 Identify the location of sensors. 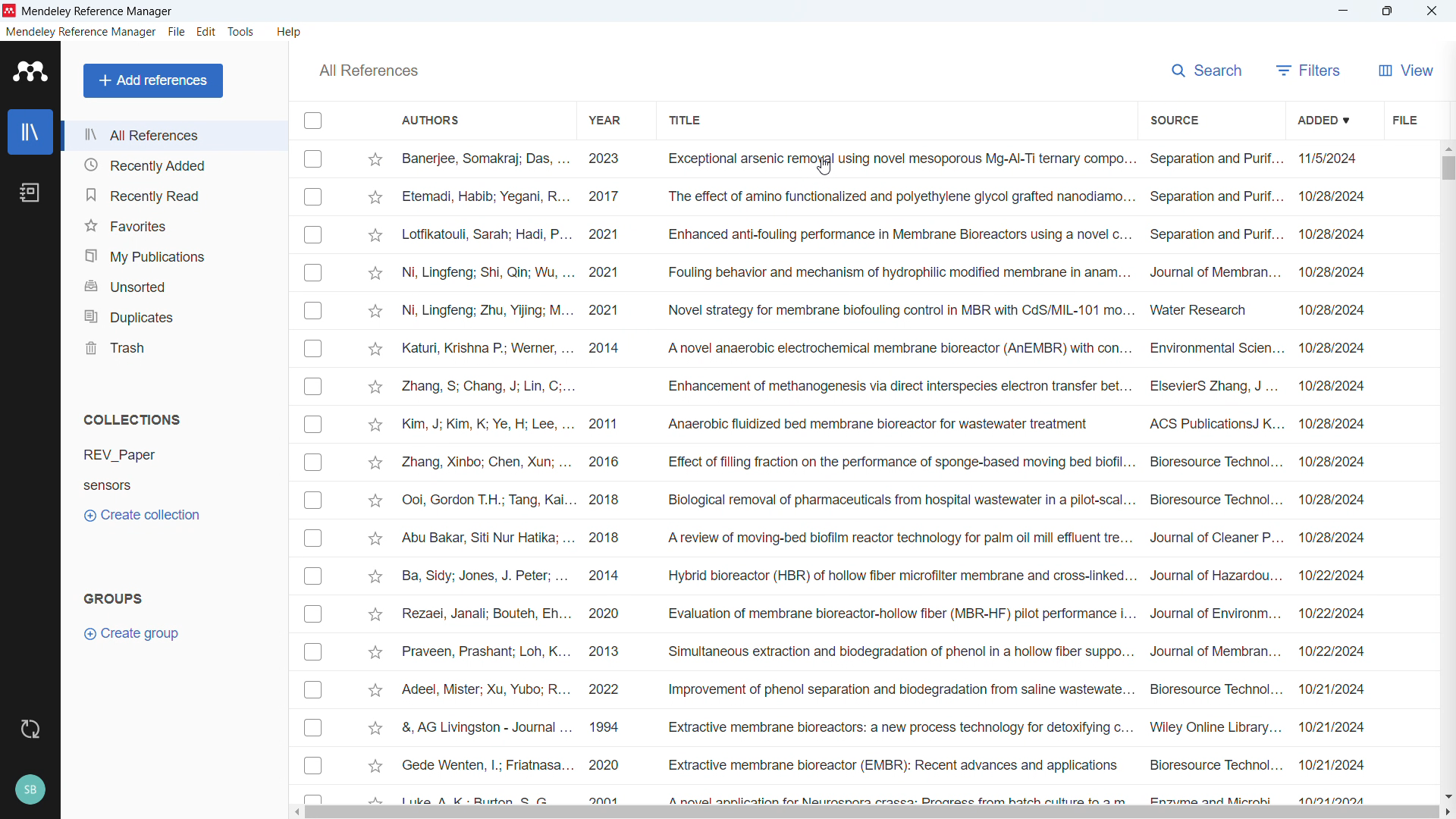
(133, 485).